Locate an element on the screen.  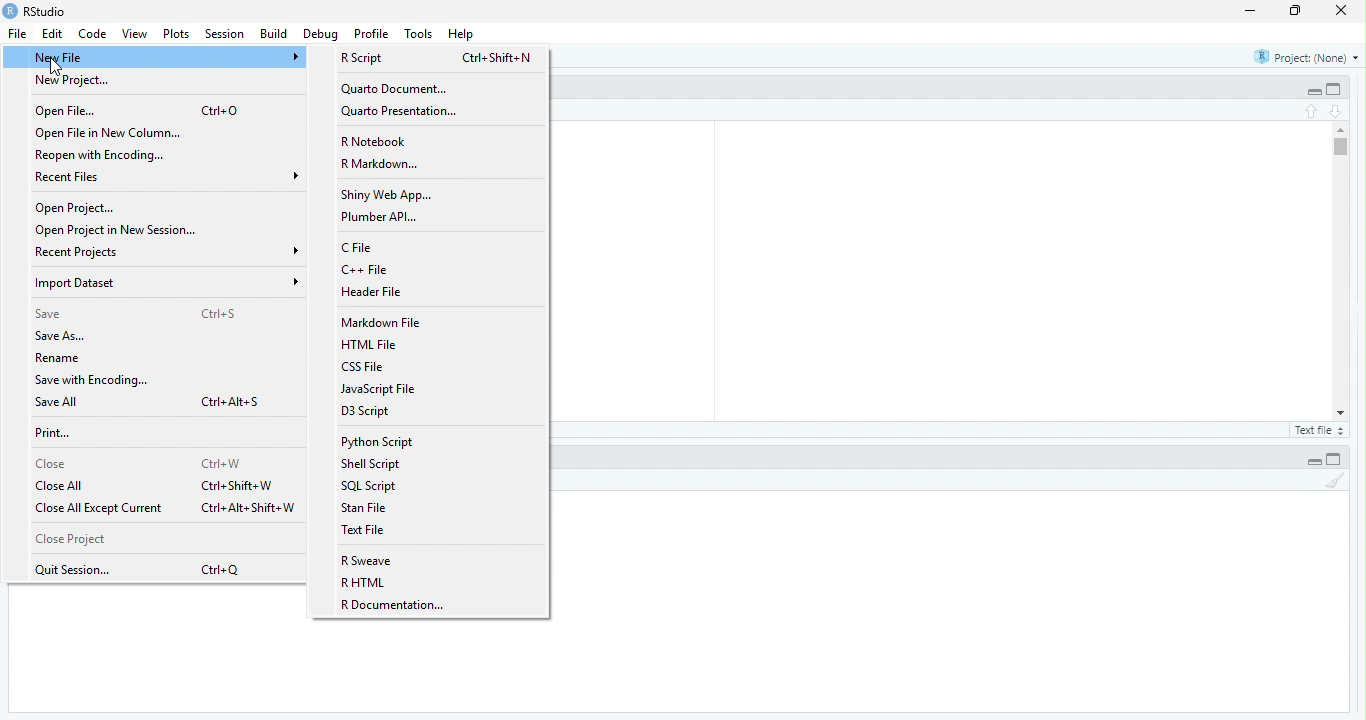
Edit is located at coordinates (54, 33).